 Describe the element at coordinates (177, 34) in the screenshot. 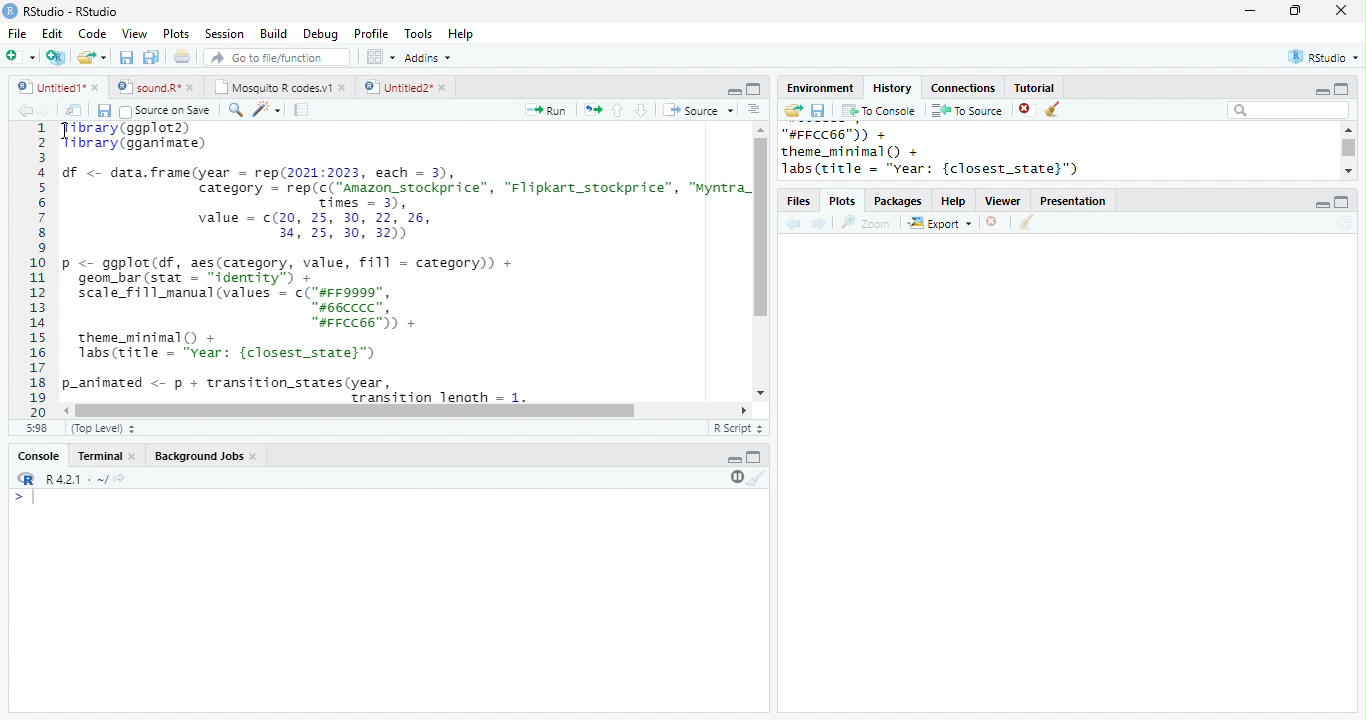

I see `Plots` at that location.